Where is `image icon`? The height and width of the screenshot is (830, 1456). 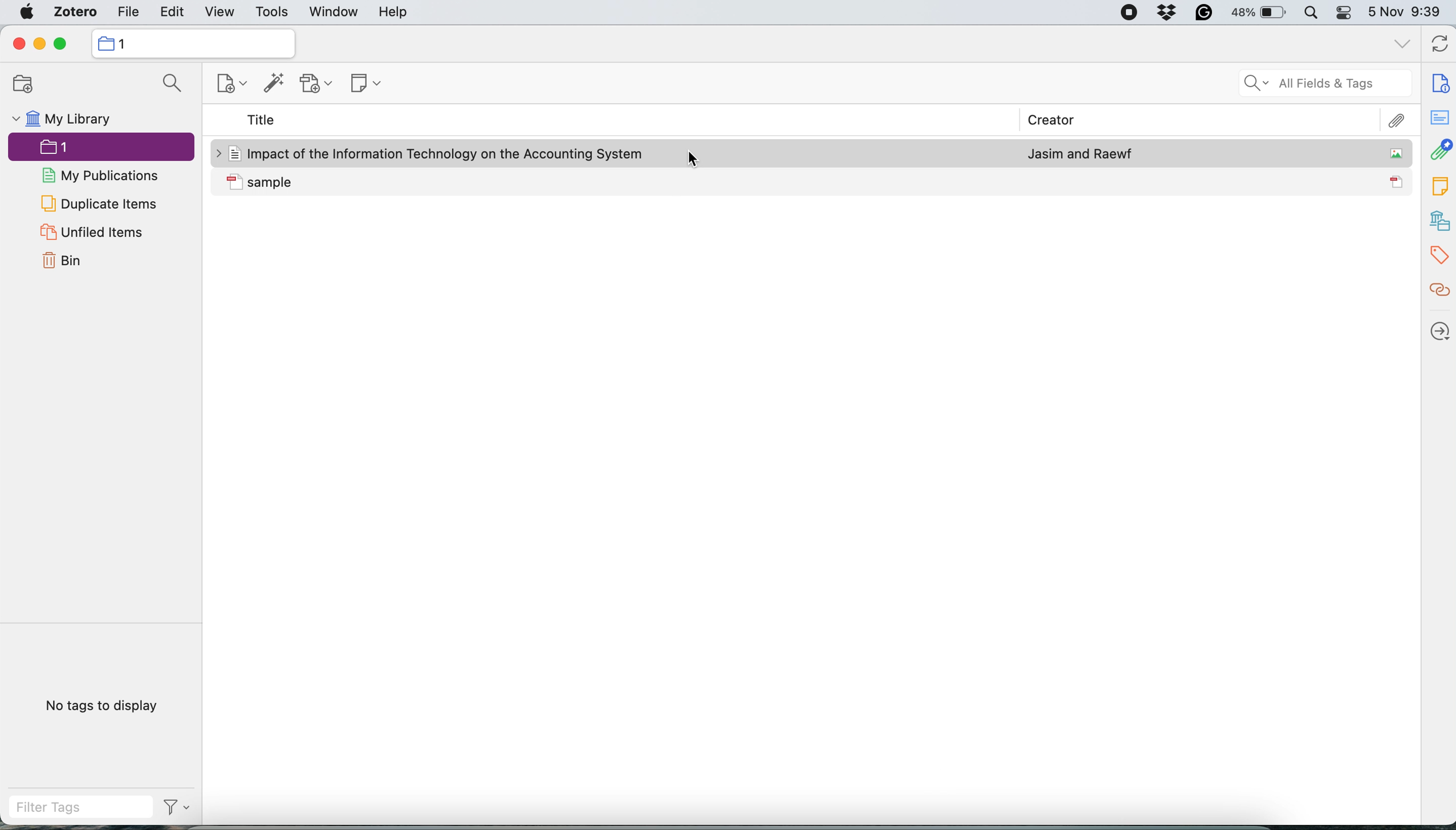 image icon is located at coordinates (1396, 153).